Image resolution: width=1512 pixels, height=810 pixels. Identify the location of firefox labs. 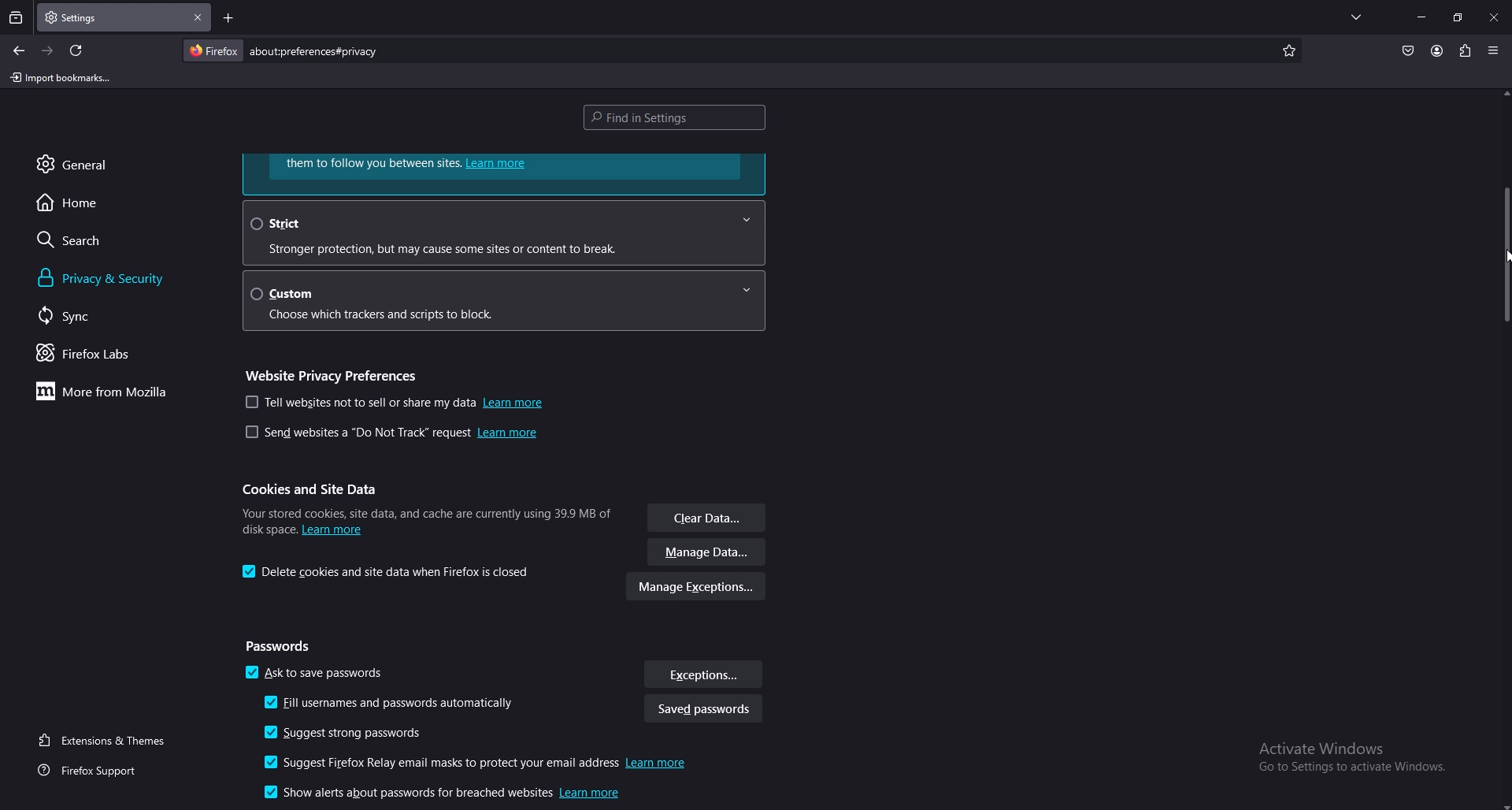
(100, 355).